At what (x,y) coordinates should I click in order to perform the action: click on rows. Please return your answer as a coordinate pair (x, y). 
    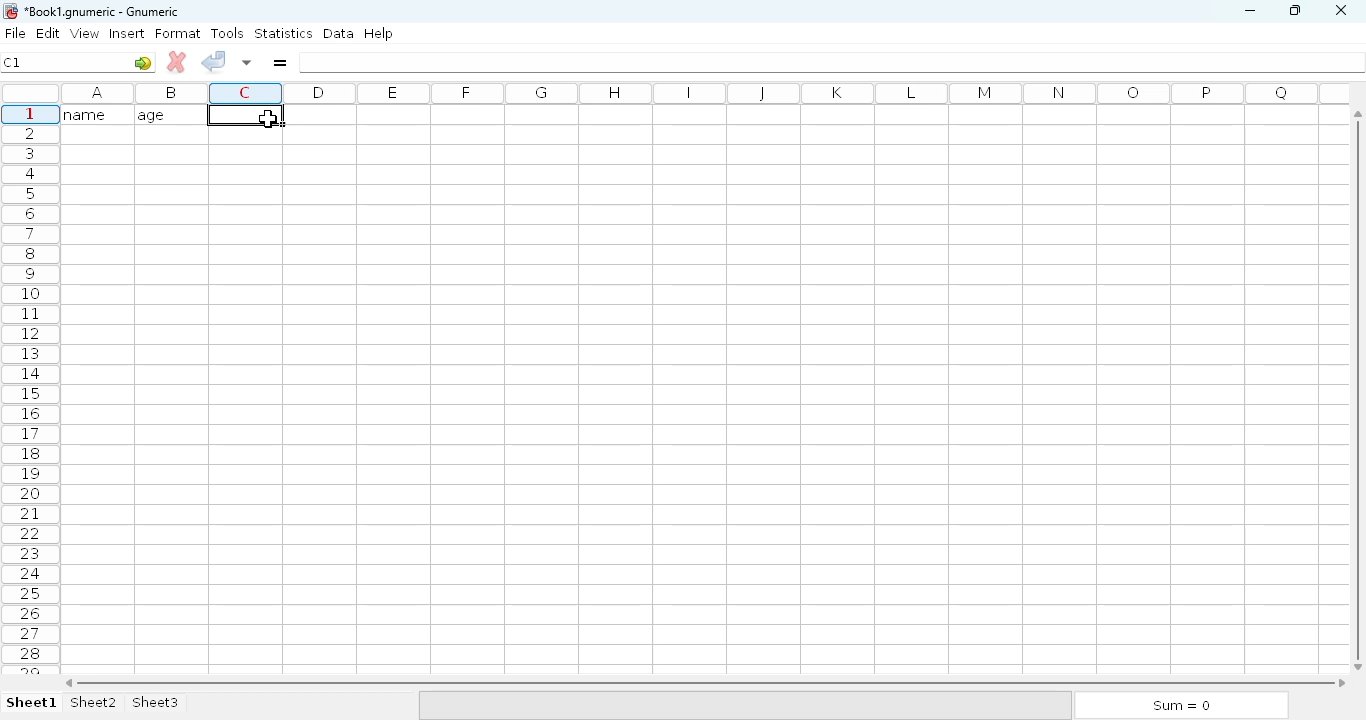
    Looking at the image, I should click on (30, 389).